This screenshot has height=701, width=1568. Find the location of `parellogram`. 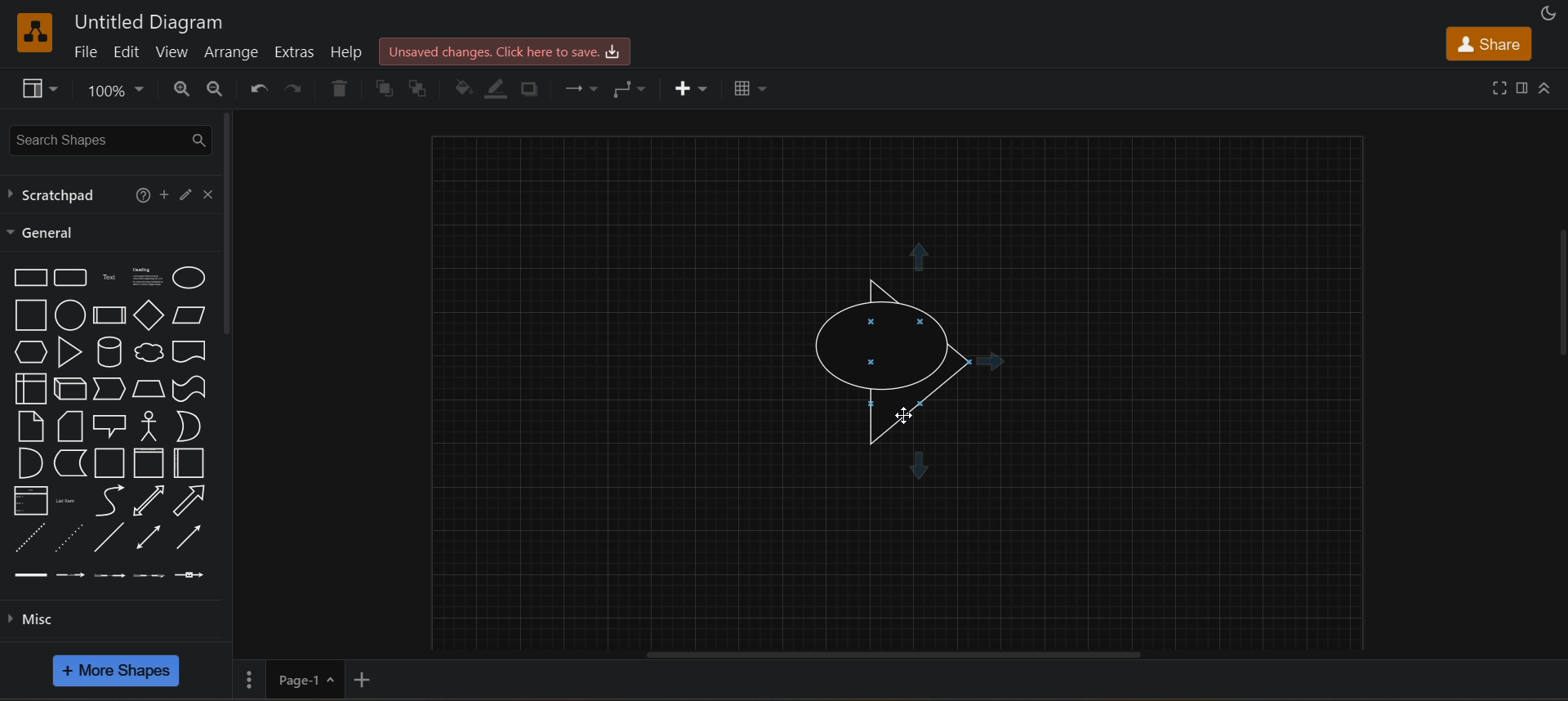

parellogram is located at coordinates (188, 315).